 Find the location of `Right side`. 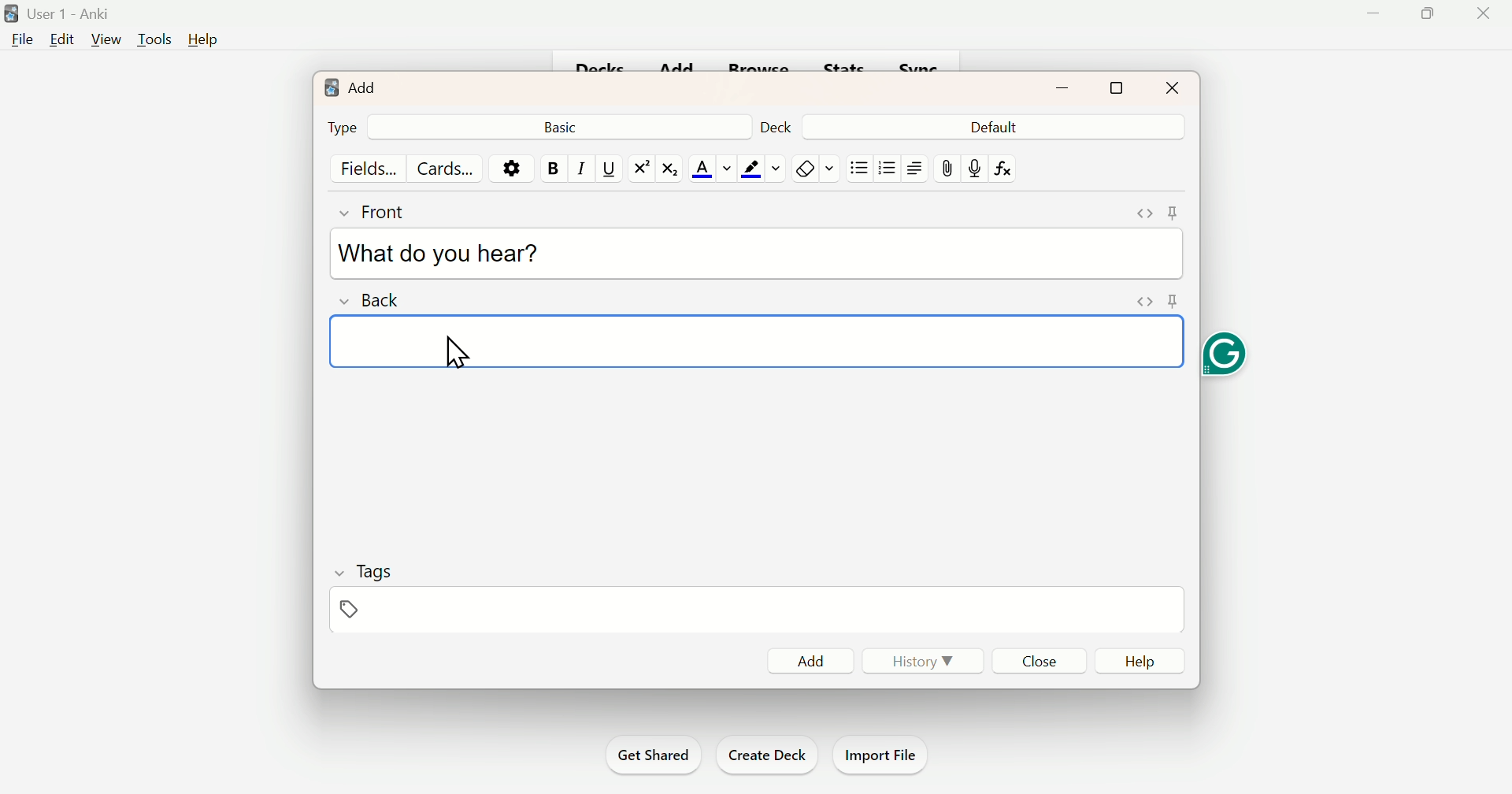

Right side is located at coordinates (914, 168).